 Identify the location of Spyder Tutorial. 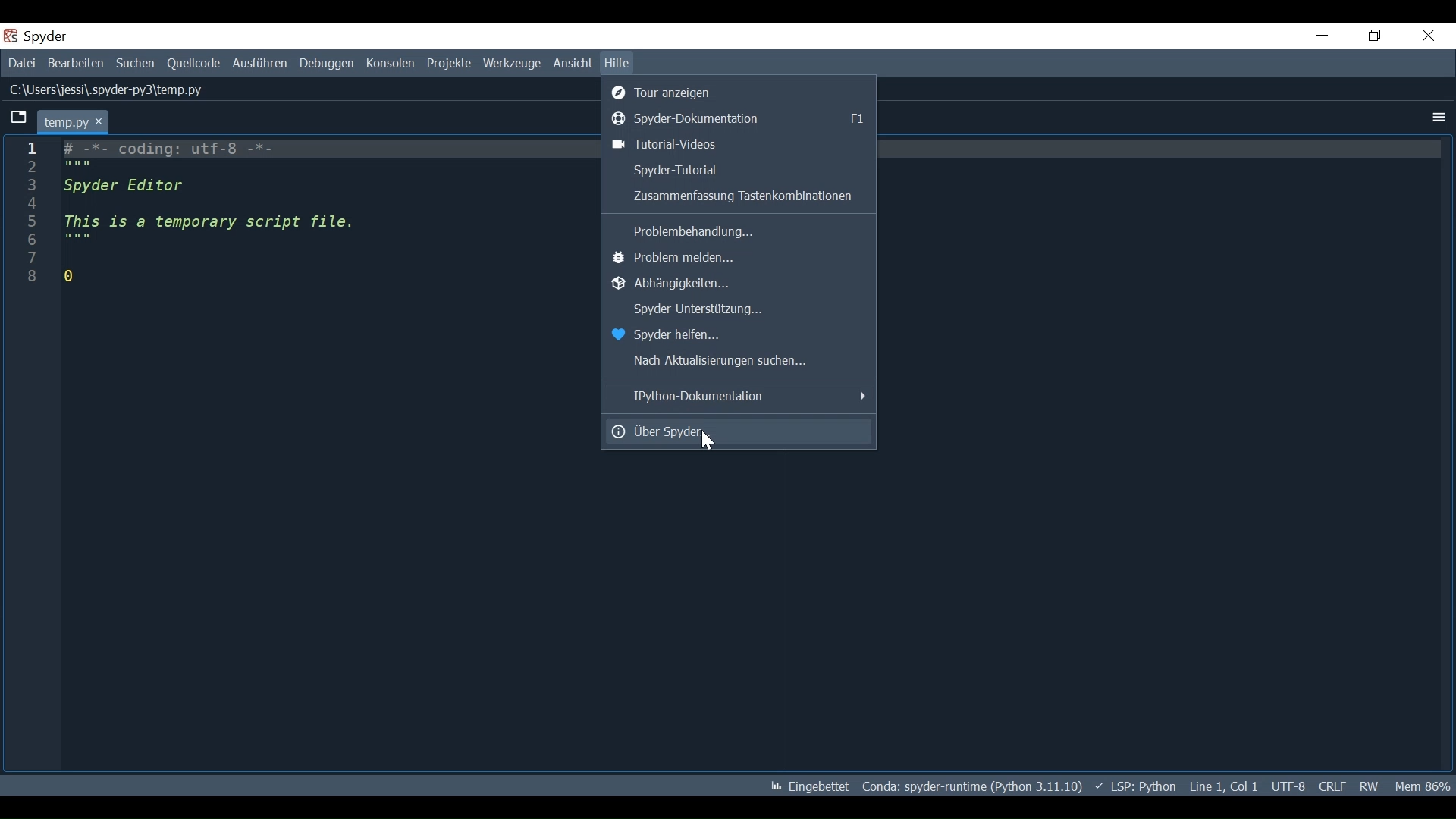
(738, 171).